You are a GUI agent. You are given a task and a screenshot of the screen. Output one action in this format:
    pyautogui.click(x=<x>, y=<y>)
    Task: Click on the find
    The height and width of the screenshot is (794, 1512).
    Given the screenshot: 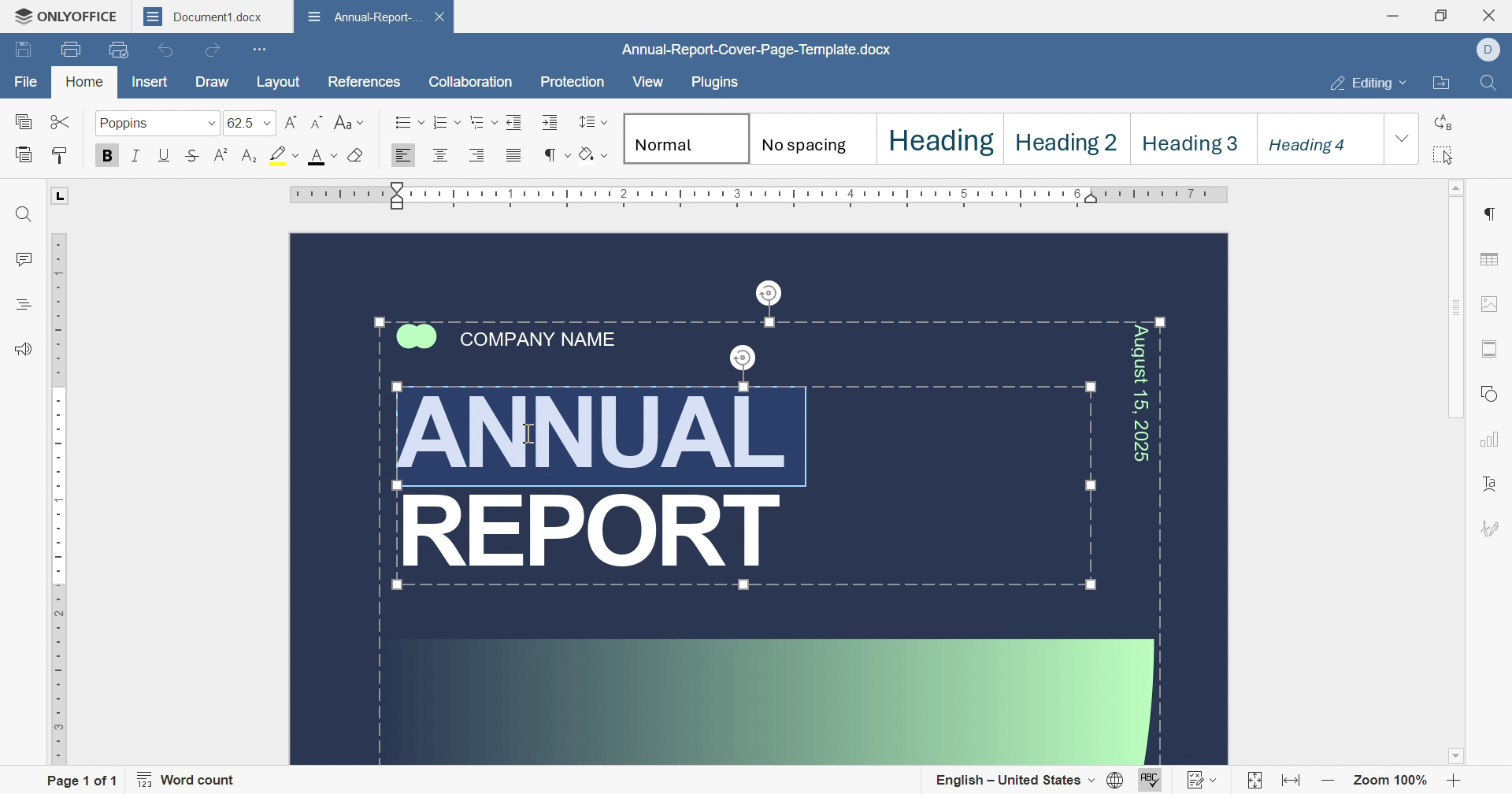 What is the action you would take?
    pyautogui.click(x=1491, y=84)
    